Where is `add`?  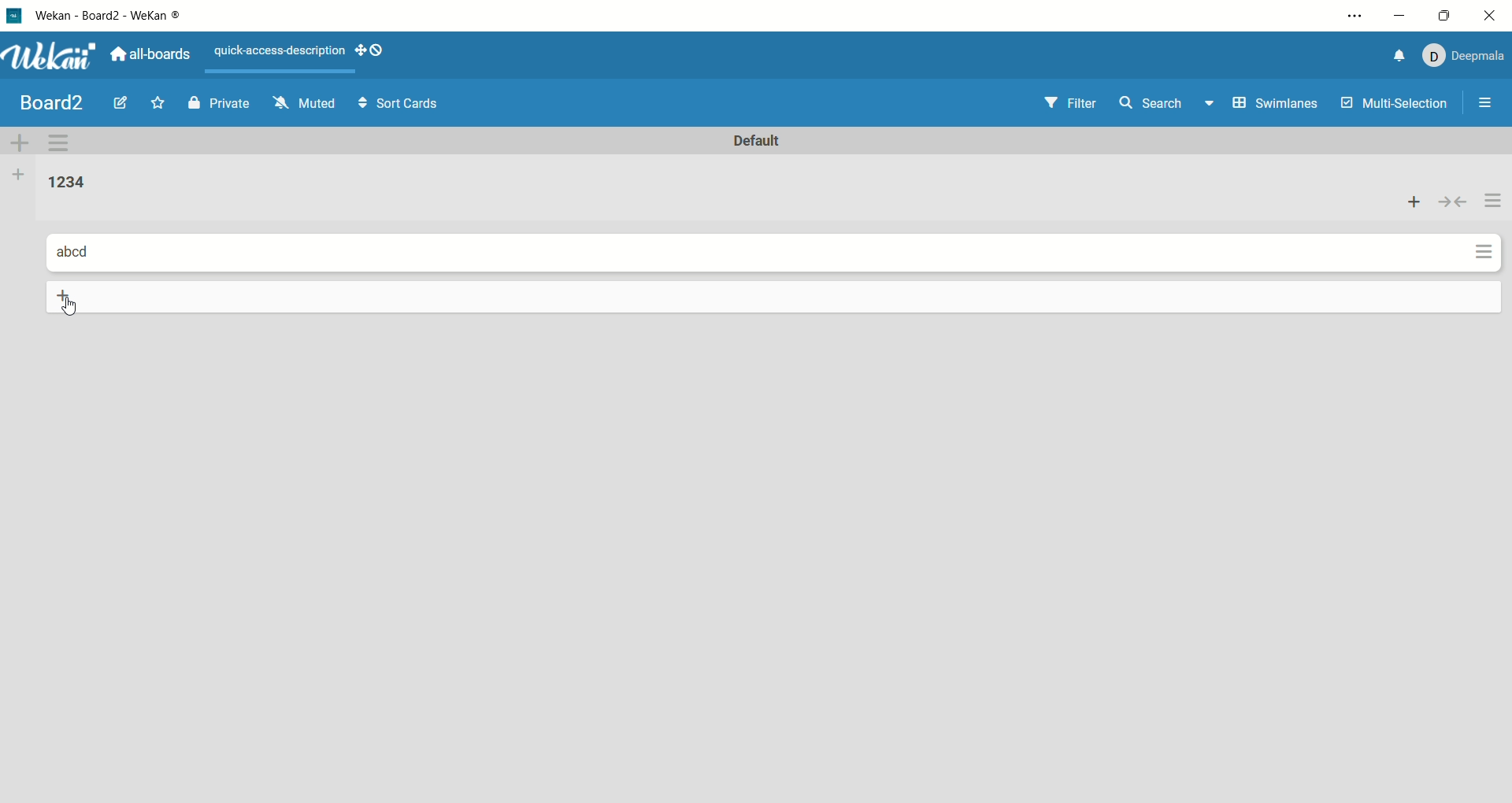 add is located at coordinates (1417, 202).